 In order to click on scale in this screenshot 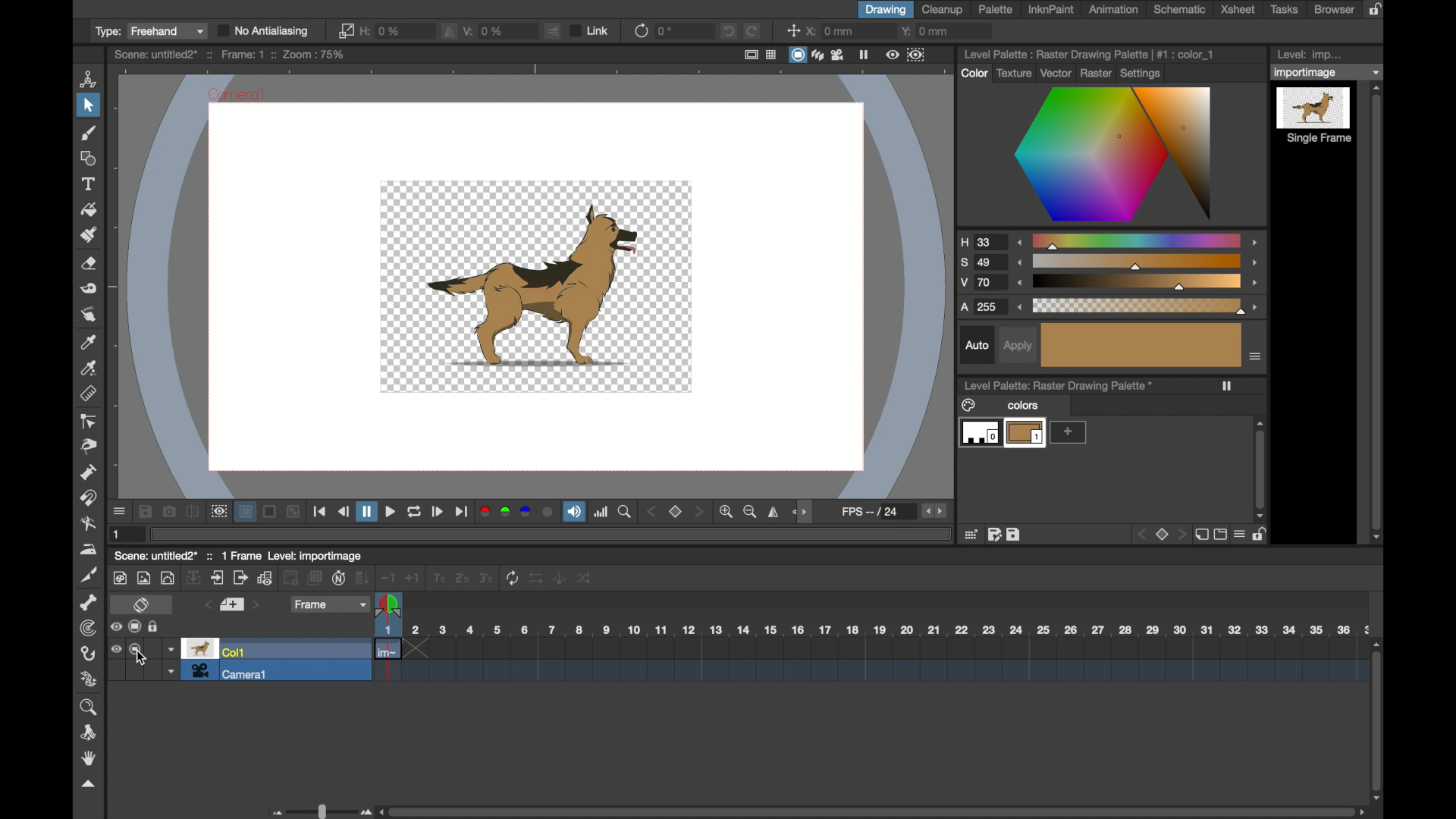, I will do `click(1137, 283)`.